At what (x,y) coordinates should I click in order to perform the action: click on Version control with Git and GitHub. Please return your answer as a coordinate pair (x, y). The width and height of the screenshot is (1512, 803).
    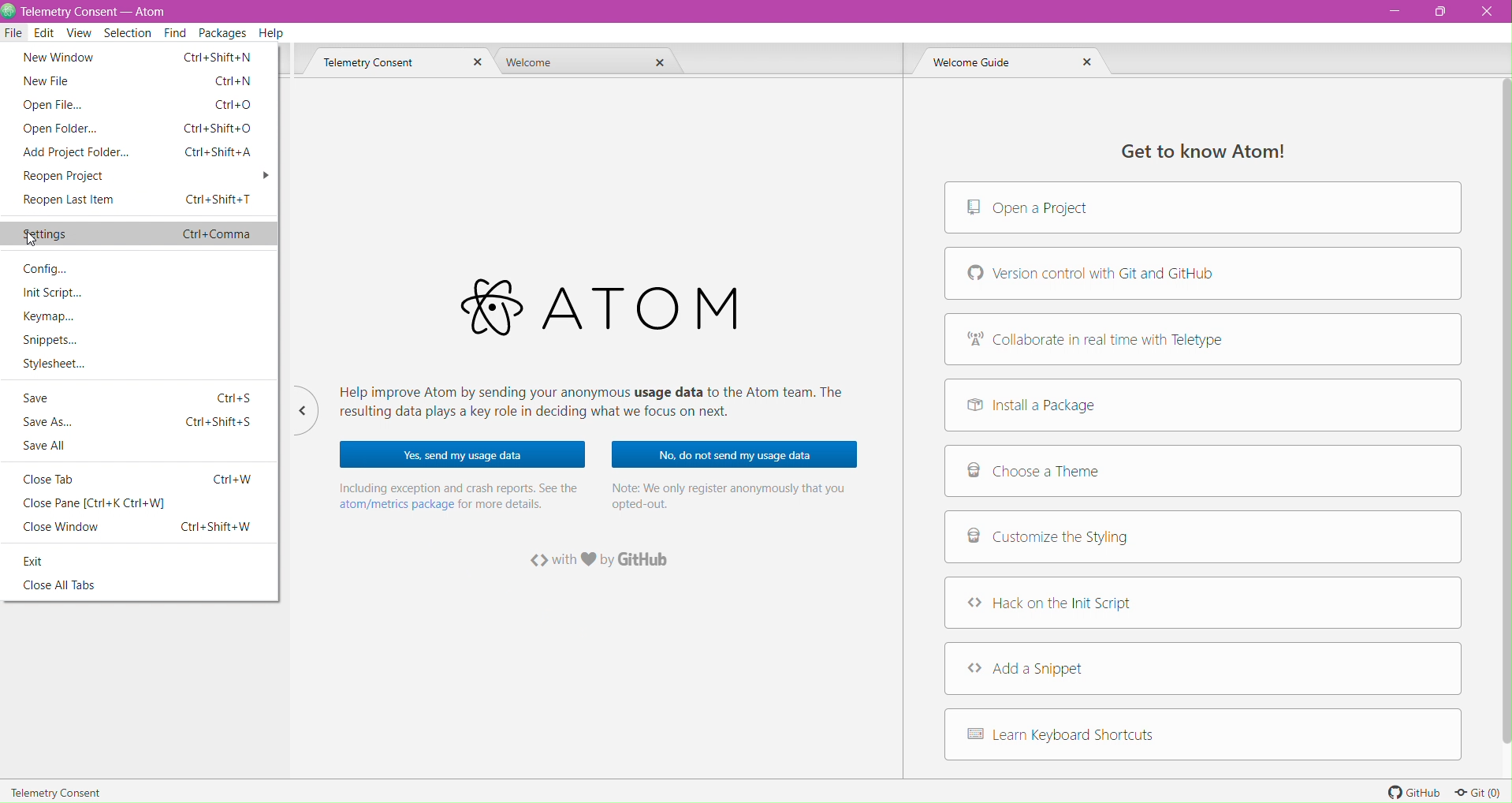
    Looking at the image, I should click on (1202, 273).